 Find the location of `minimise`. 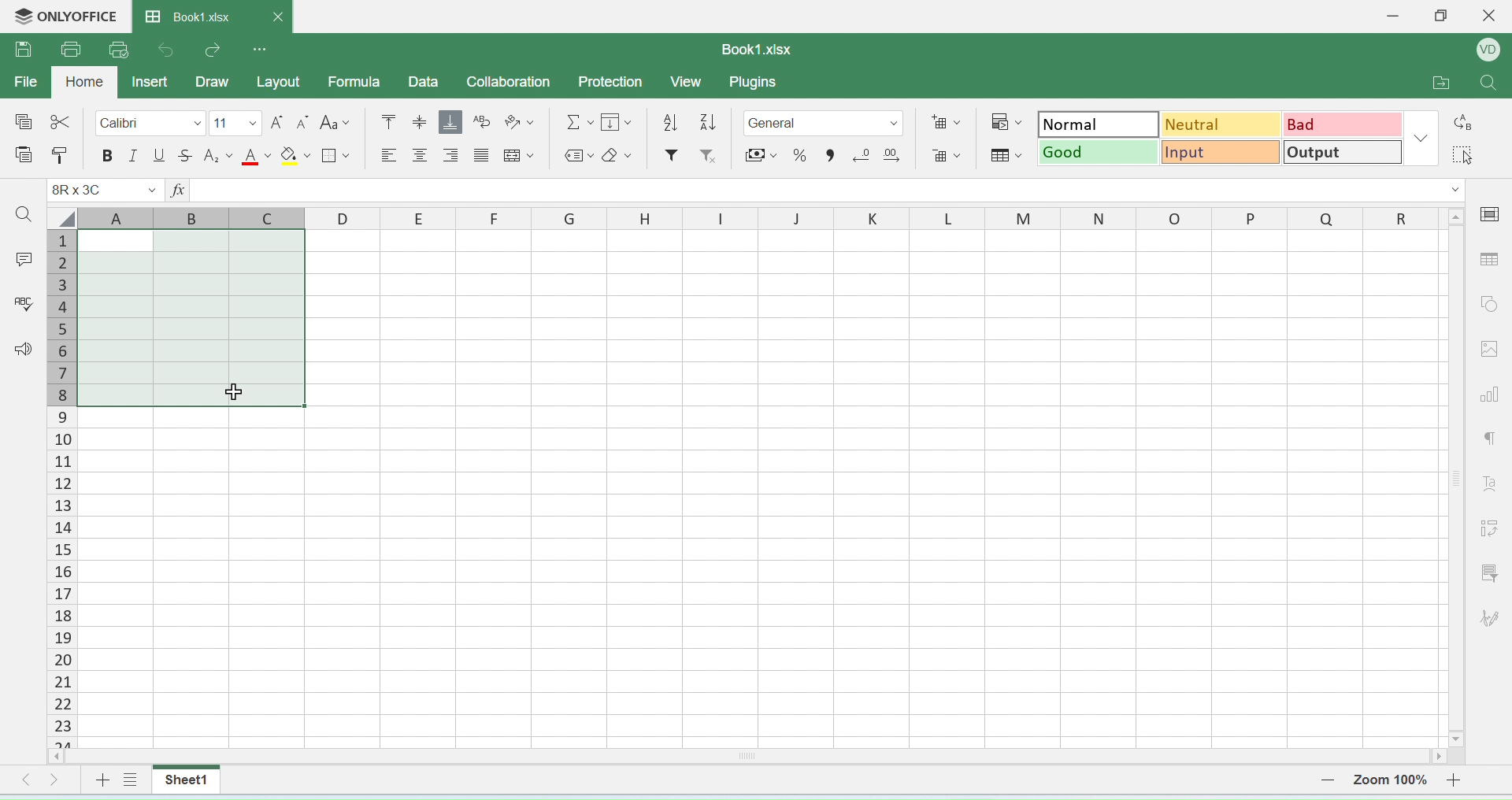

minimise is located at coordinates (1397, 20).